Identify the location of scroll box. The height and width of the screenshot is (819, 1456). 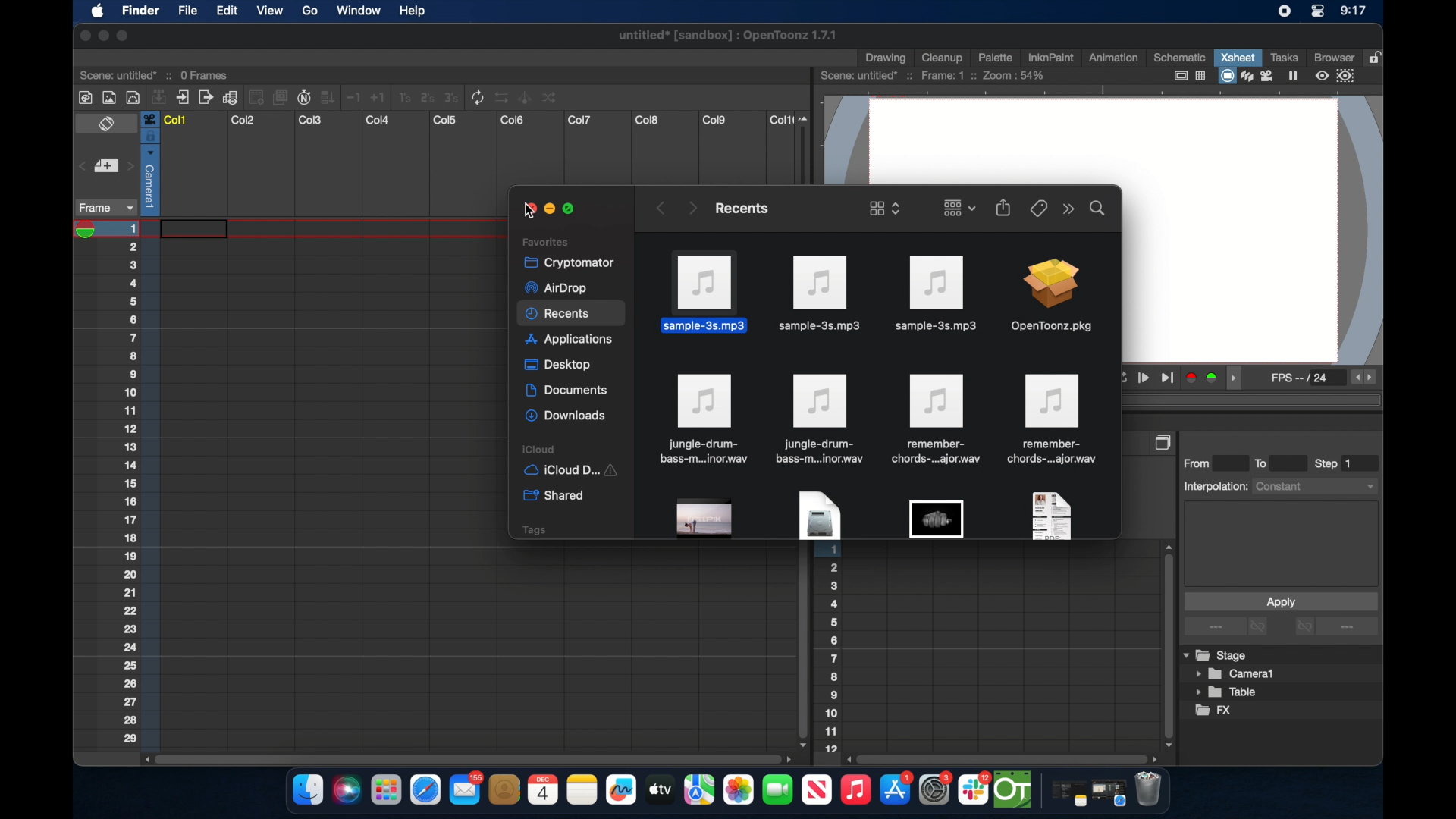
(1166, 645).